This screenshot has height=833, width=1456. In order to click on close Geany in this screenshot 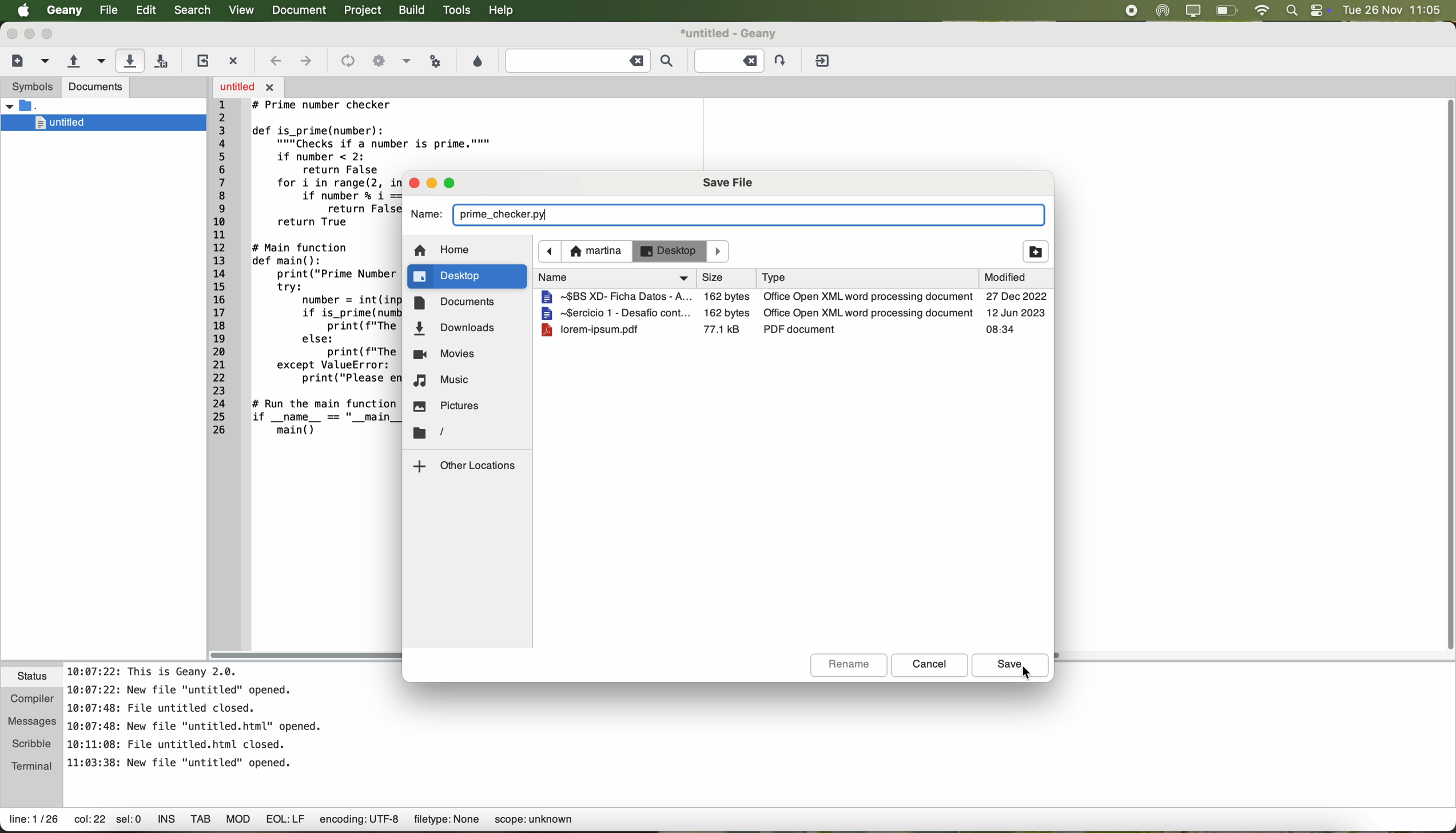, I will do `click(10, 31)`.